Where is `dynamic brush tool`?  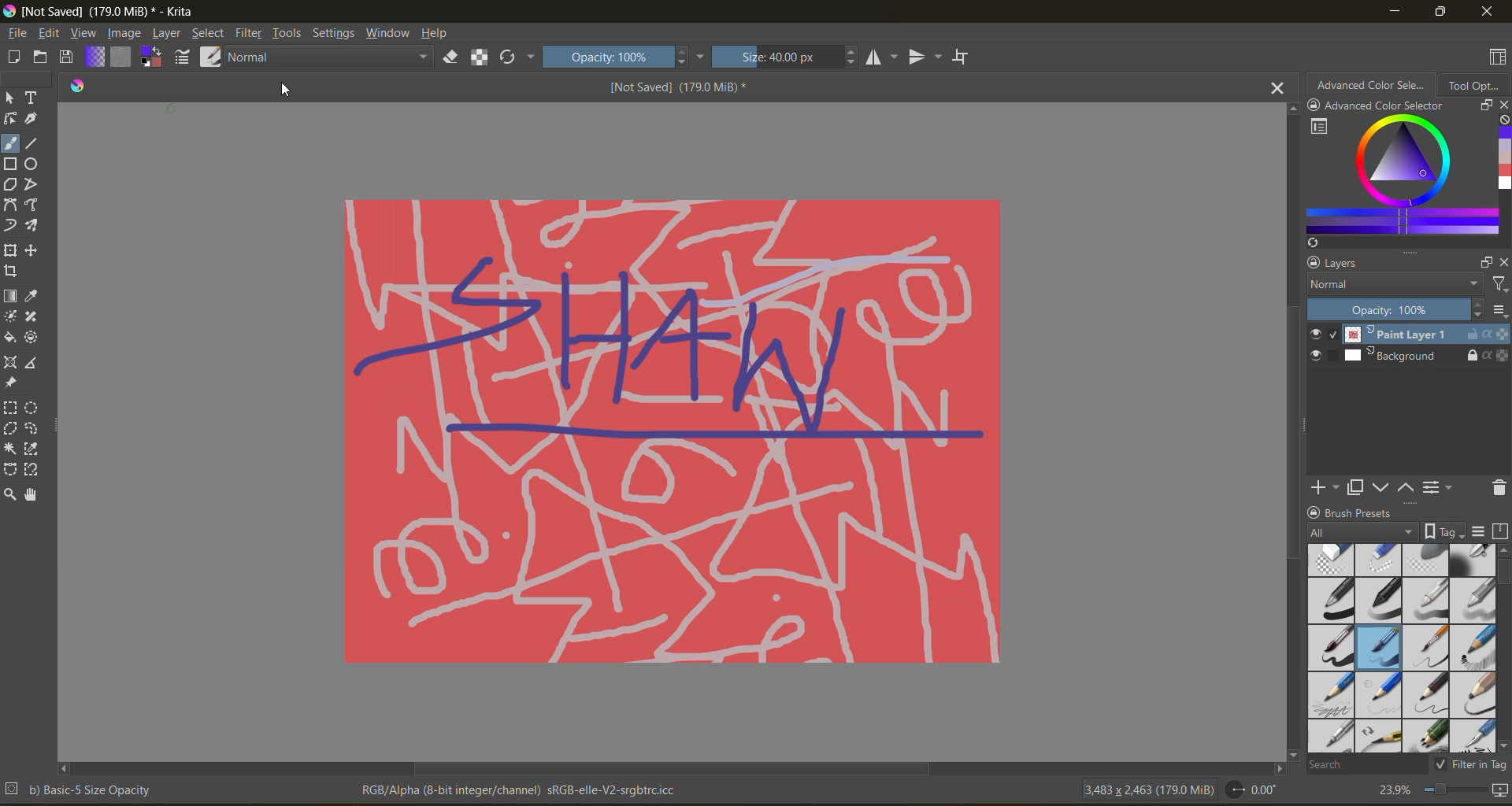
dynamic brush tool is located at coordinates (11, 225).